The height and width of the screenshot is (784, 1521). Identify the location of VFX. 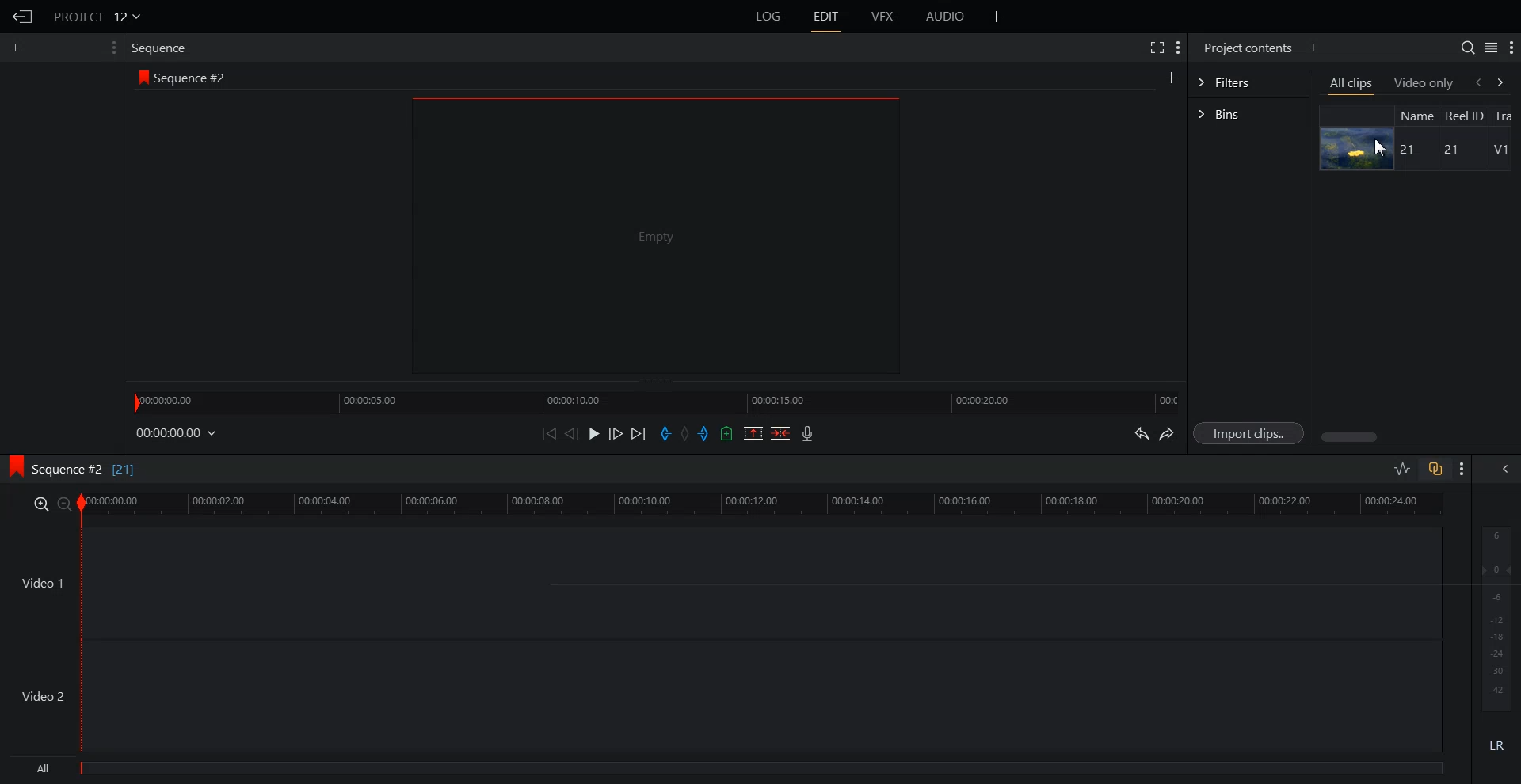
(883, 17).